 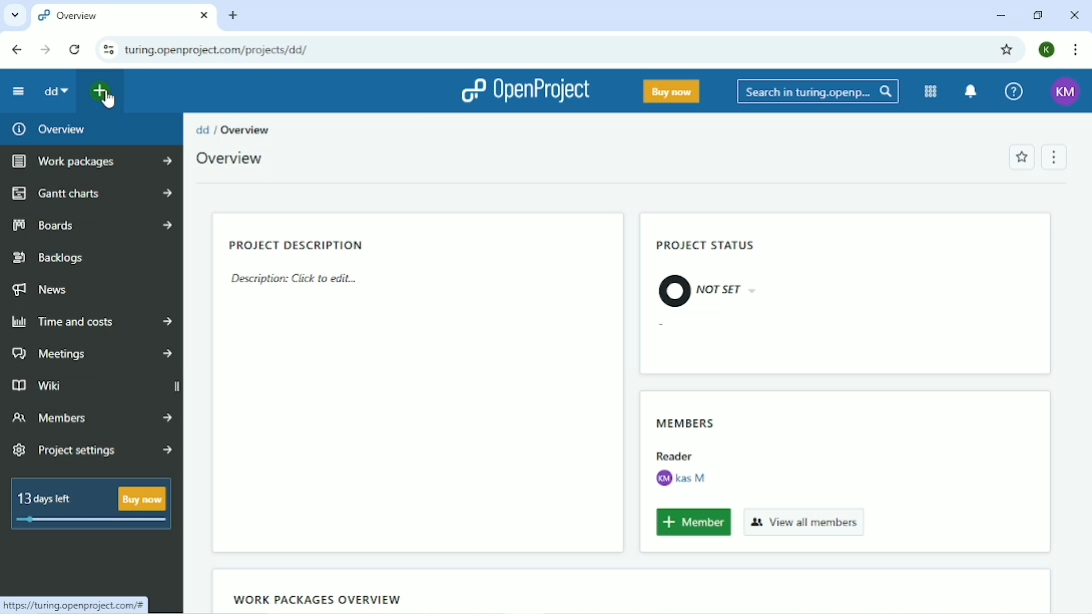 I want to click on Overview, so click(x=247, y=130).